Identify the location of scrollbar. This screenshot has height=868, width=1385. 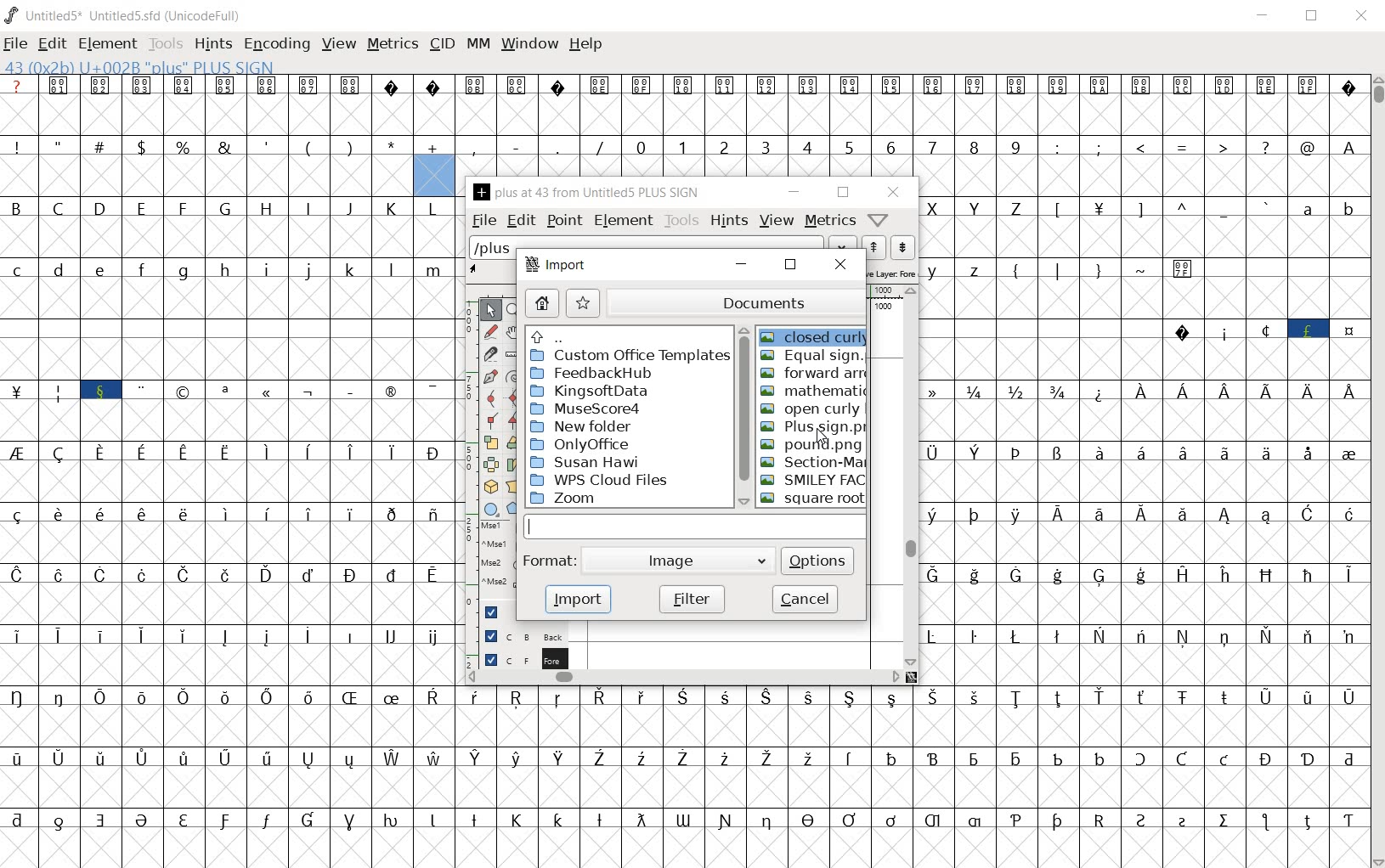
(744, 416).